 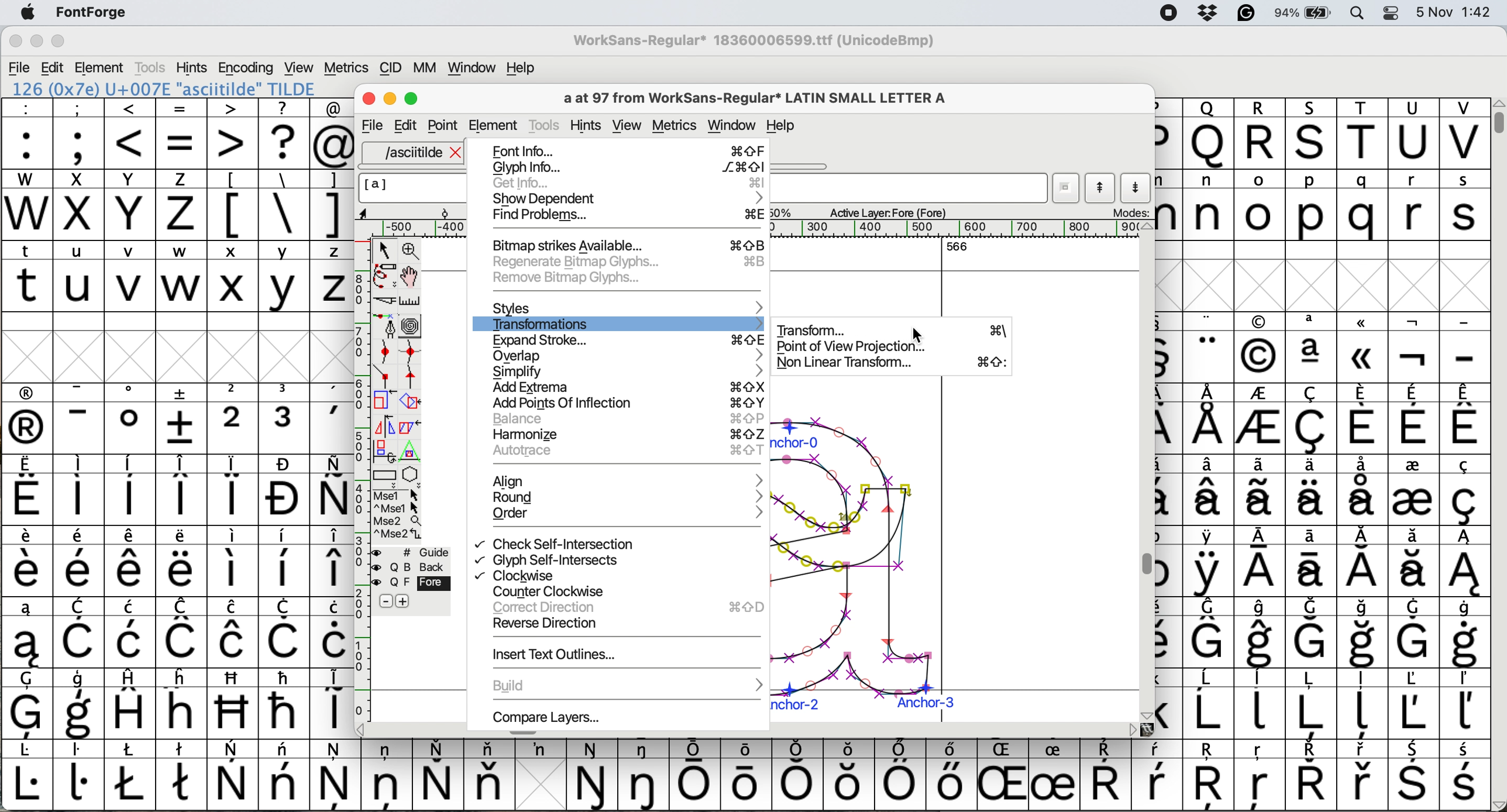 What do you see at coordinates (384, 276) in the screenshot?
I see `draw freehand curve` at bounding box center [384, 276].